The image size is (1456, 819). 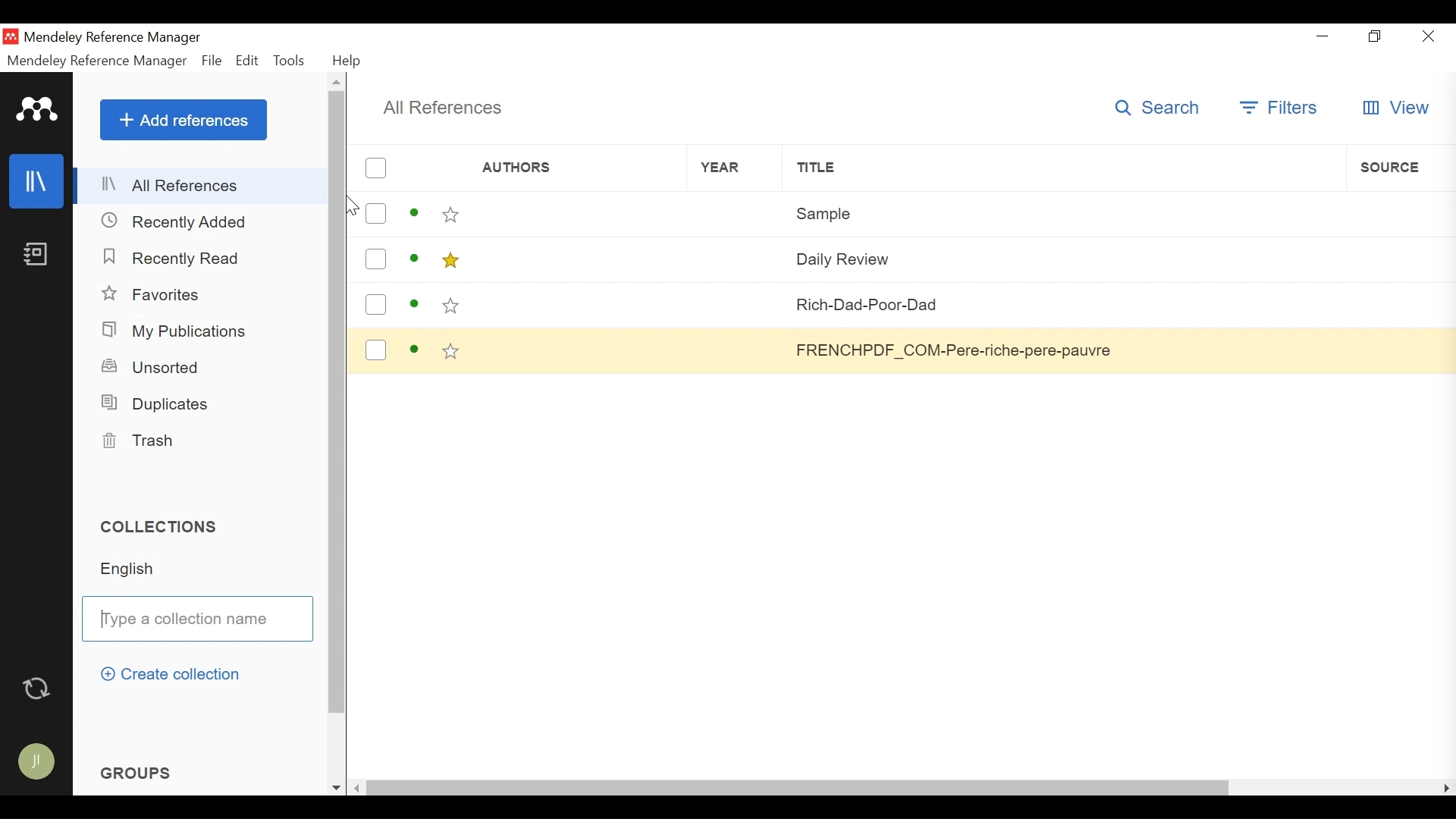 I want to click on Unsorted, so click(x=154, y=366).